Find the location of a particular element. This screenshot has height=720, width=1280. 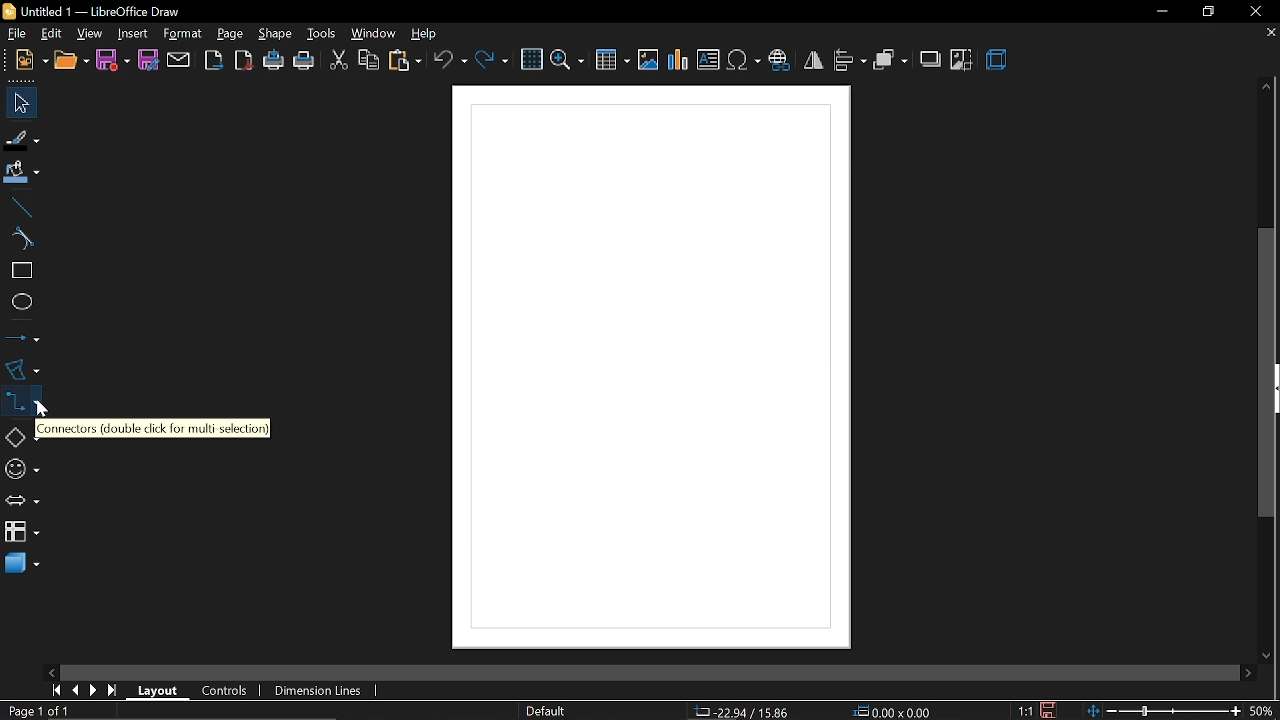

paste is located at coordinates (404, 61).